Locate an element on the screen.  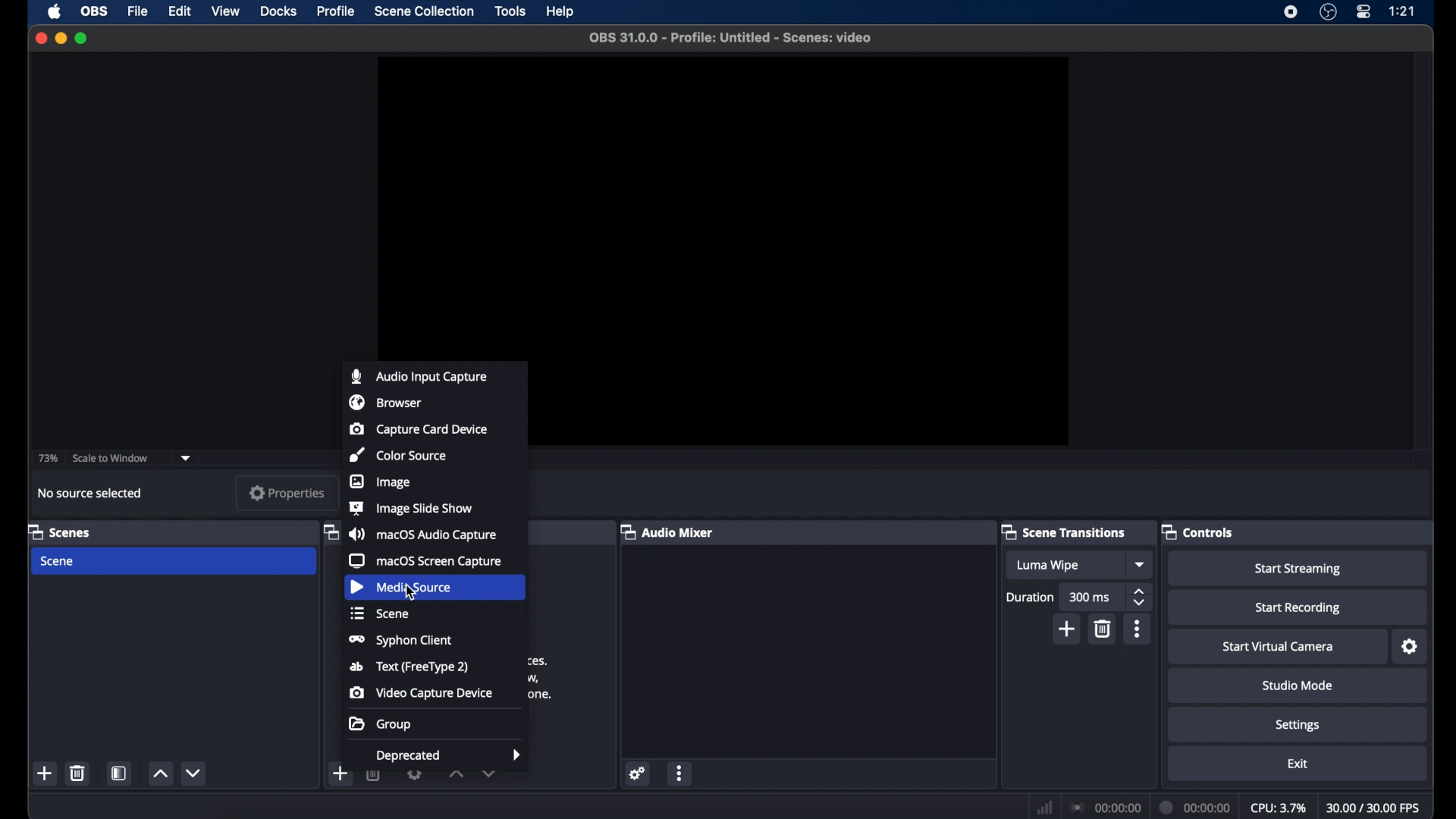
scale to window is located at coordinates (110, 458).